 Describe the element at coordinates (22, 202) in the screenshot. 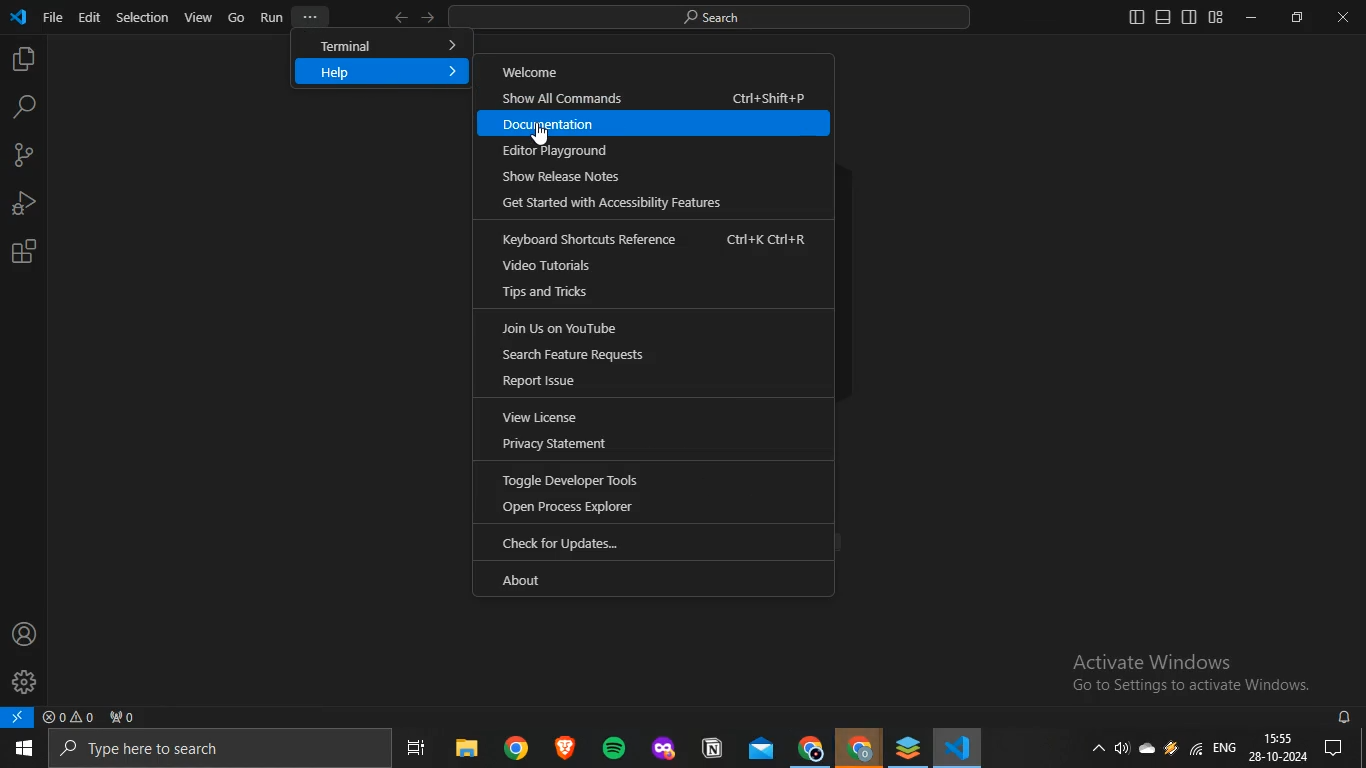

I see `run and debug` at that location.